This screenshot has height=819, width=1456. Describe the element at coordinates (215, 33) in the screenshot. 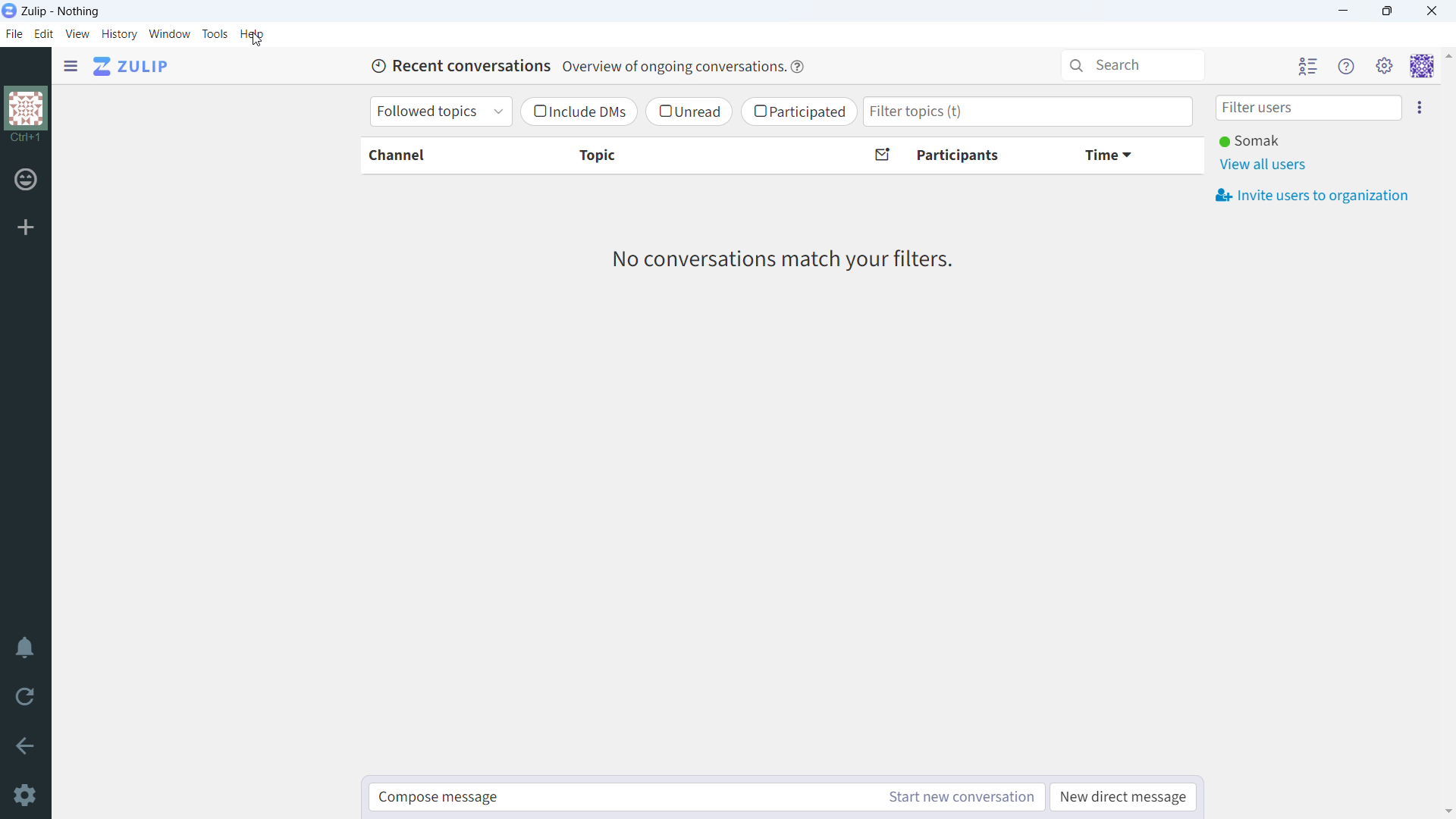

I see `tools` at that location.